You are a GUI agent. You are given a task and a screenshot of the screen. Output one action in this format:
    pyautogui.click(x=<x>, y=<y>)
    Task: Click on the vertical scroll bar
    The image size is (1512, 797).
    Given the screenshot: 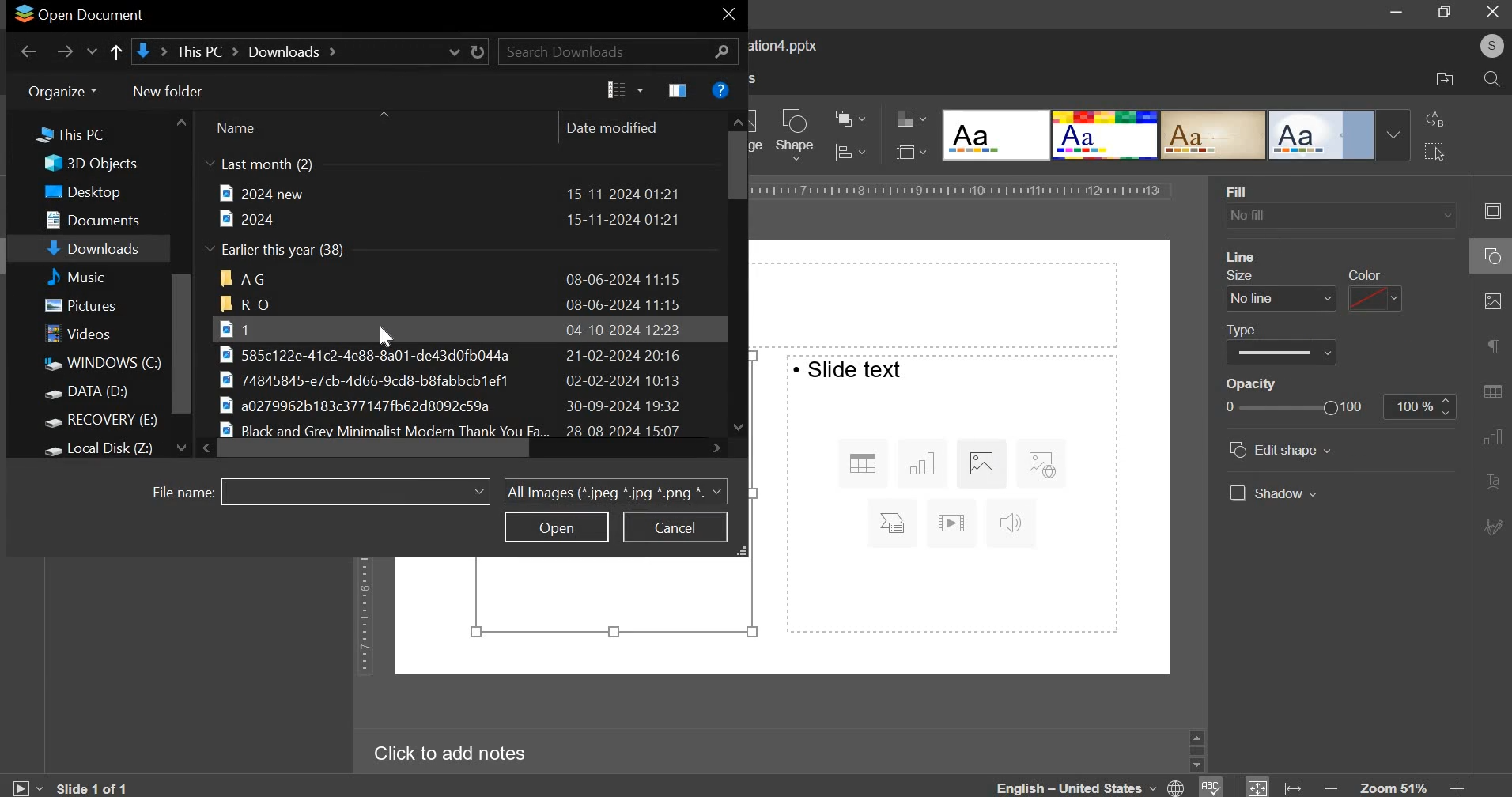 What is the action you would take?
    pyautogui.click(x=182, y=344)
    